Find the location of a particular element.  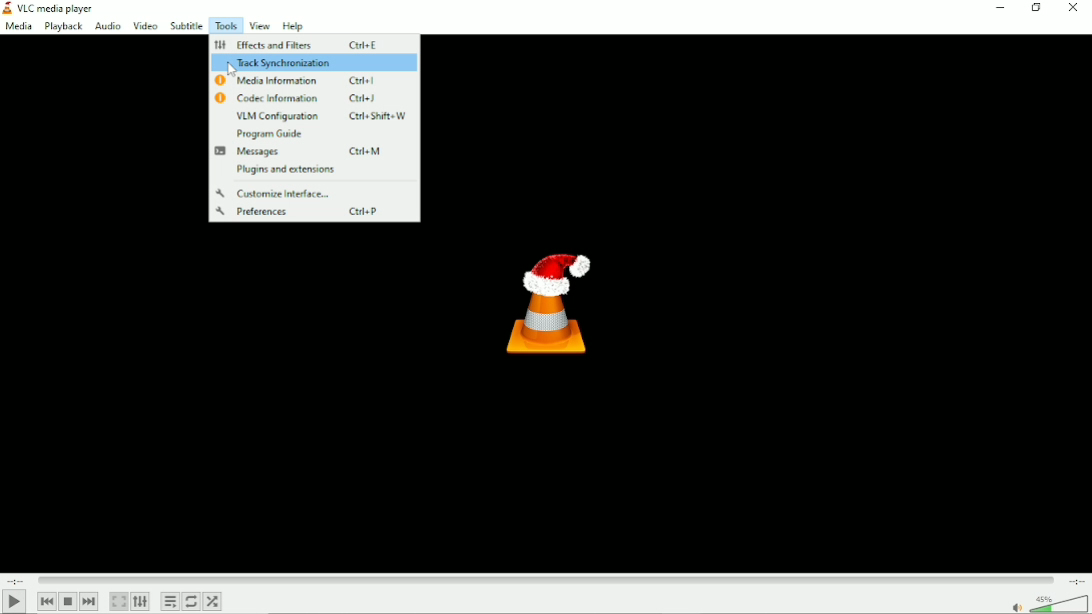

playback is located at coordinates (64, 26).